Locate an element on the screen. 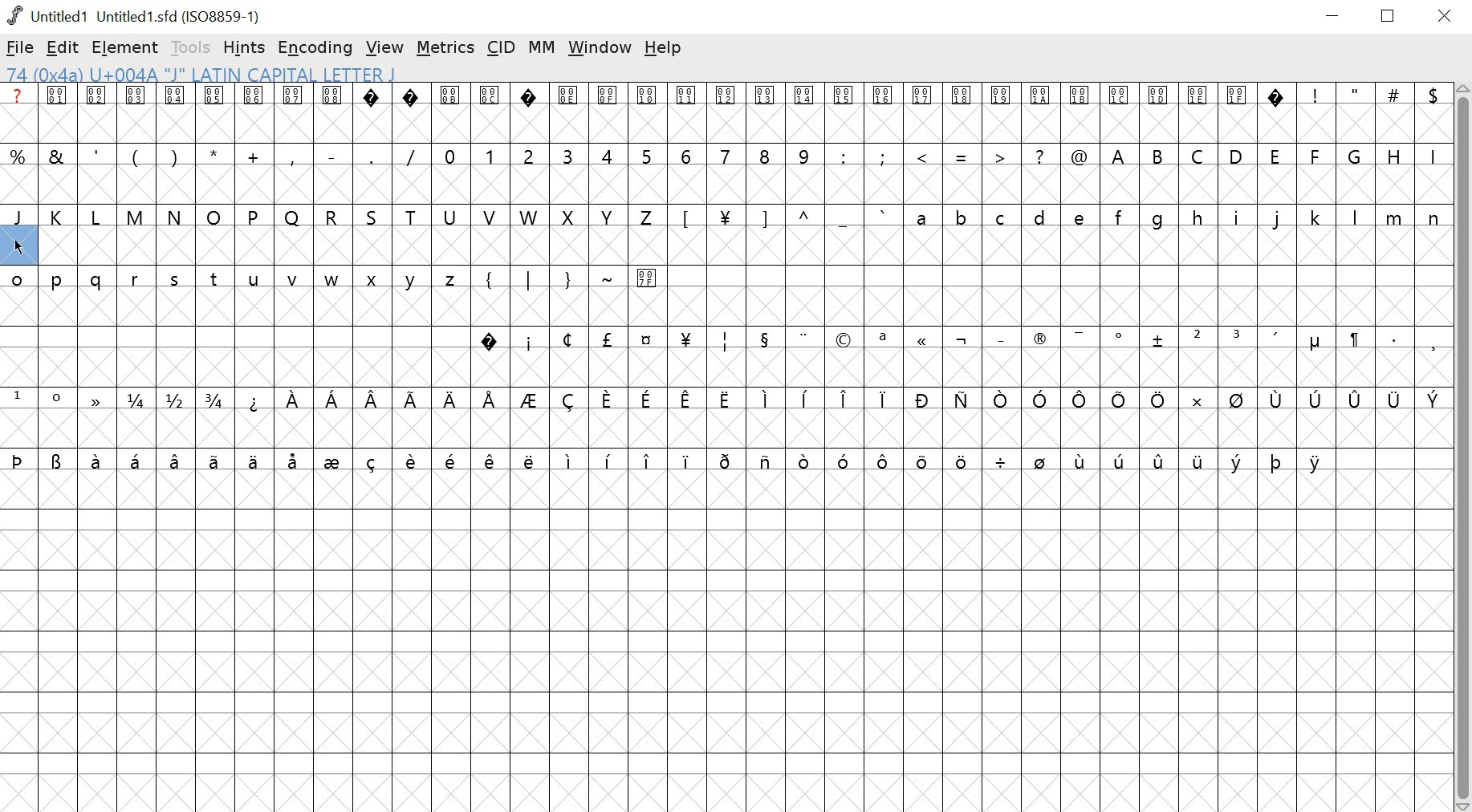 The height and width of the screenshot is (812, 1472). fractions is located at coordinates (168, 399).